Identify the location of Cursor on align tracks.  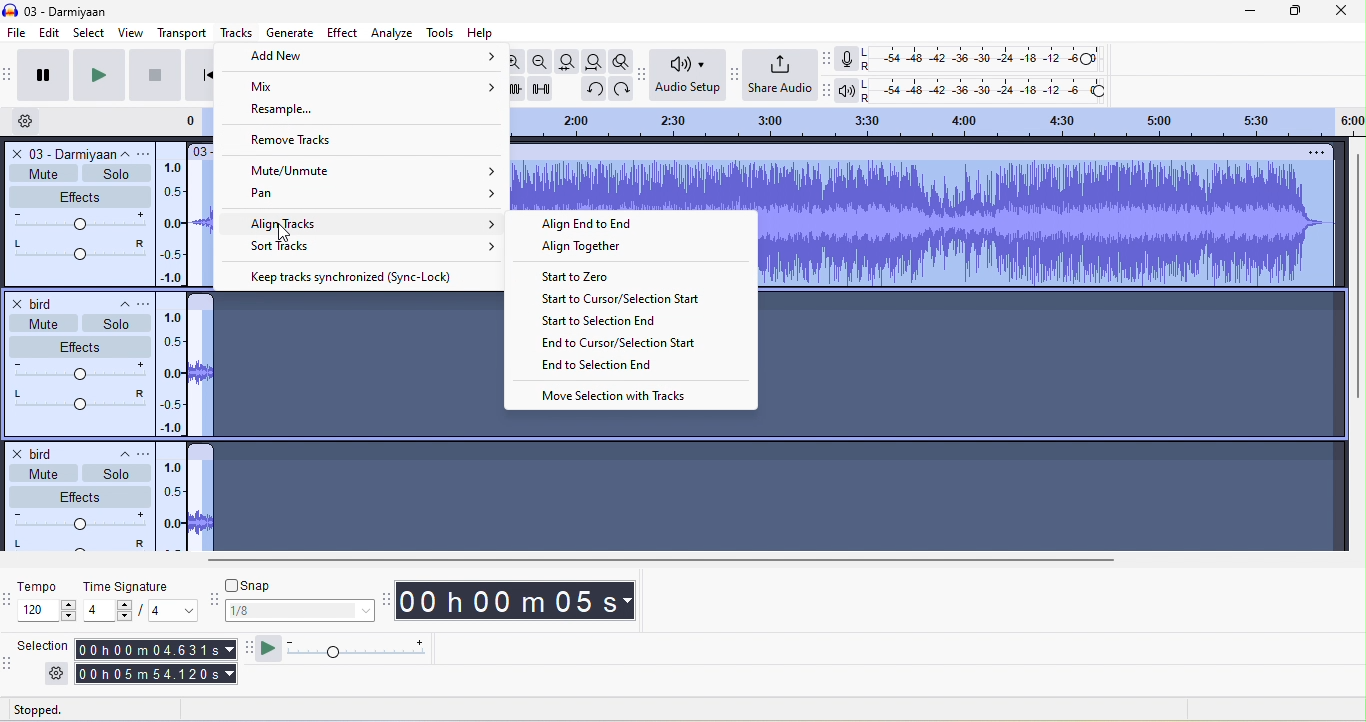
(373, 223).